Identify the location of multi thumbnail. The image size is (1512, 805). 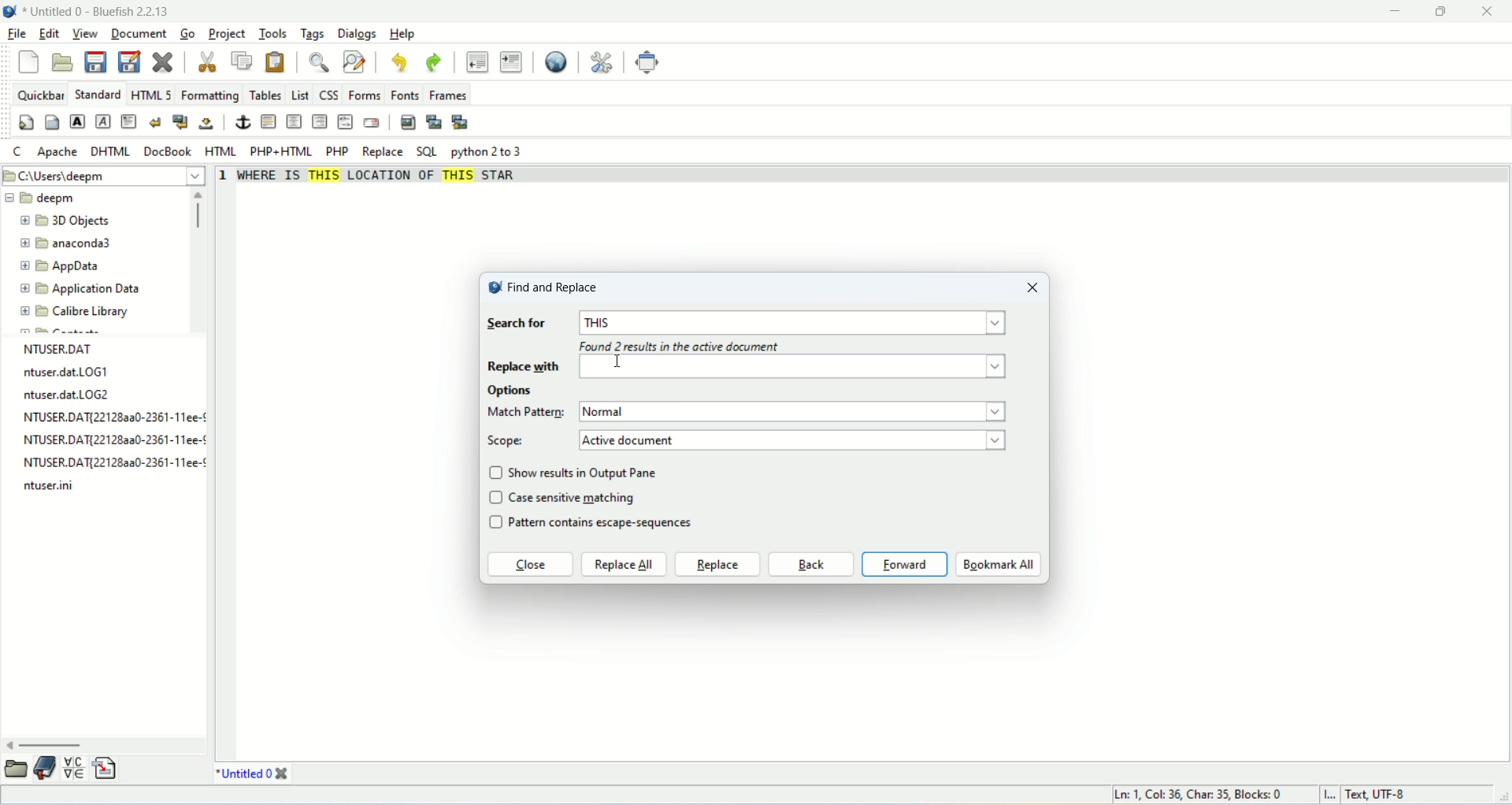
(461, 122).